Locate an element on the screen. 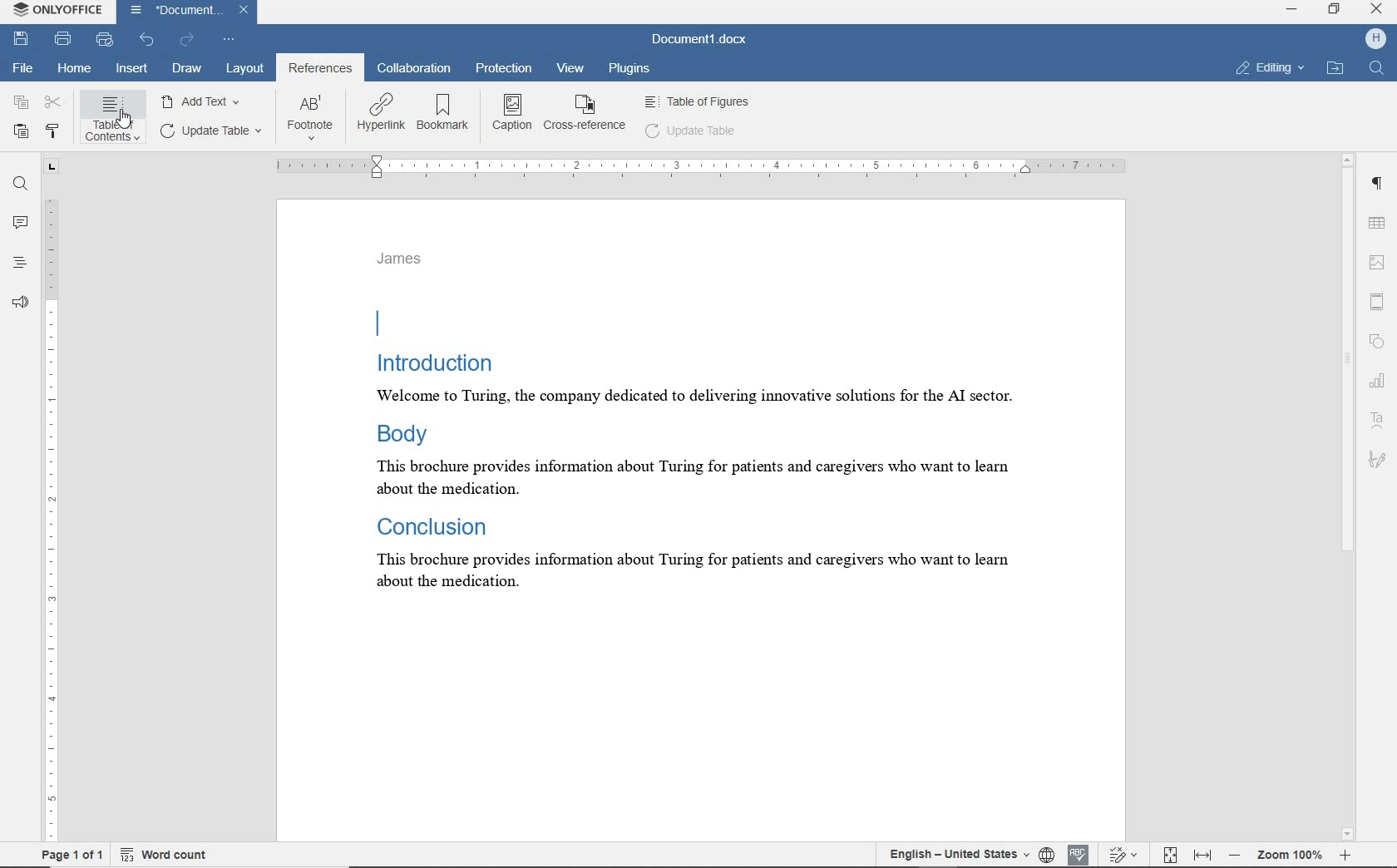 This screenshot has width=1397, height=868. fit to page is located at coordinates (1172, 855).